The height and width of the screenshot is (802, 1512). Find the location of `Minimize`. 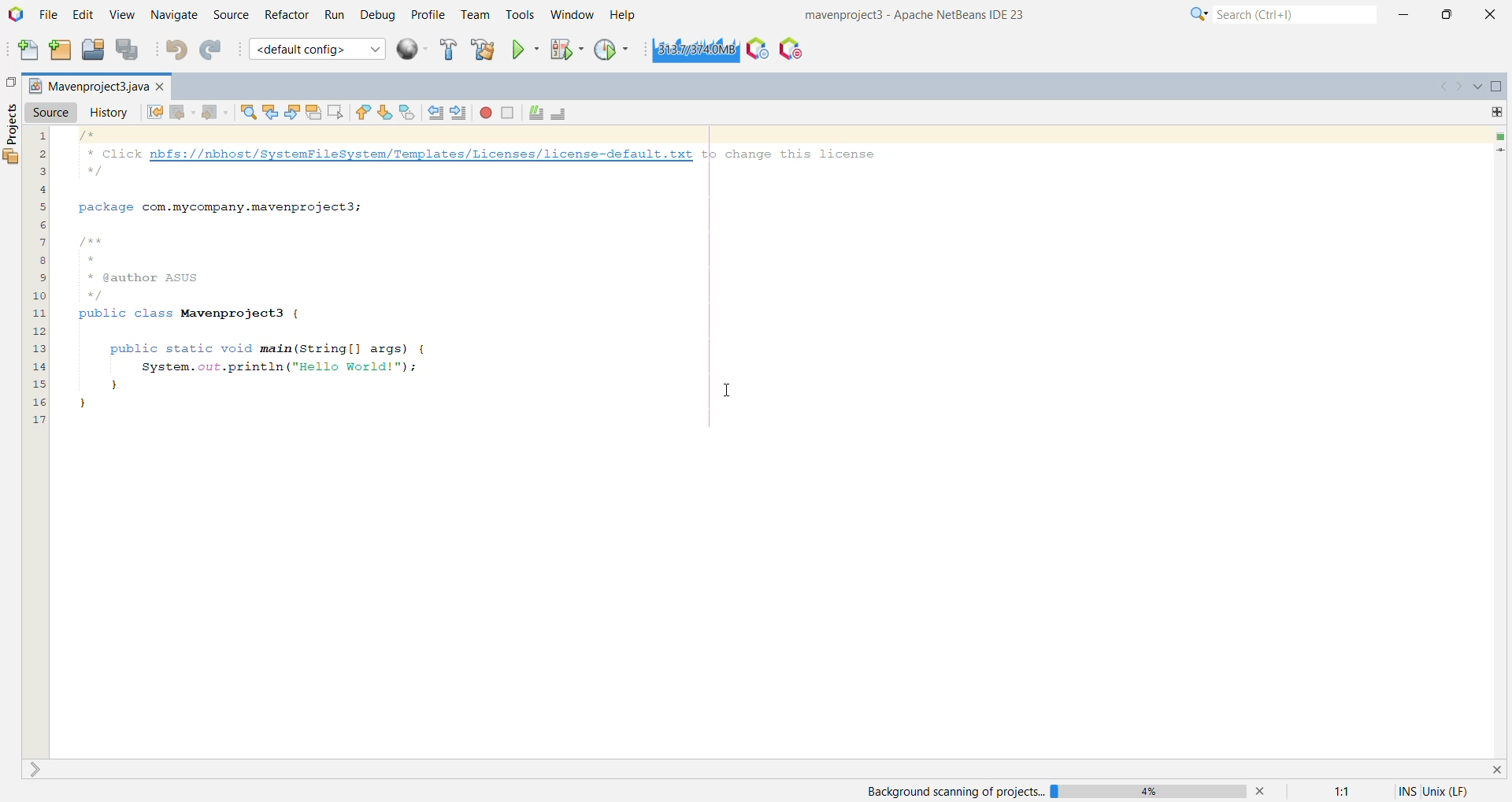

Minimize is located at coordinates (1404, 16).